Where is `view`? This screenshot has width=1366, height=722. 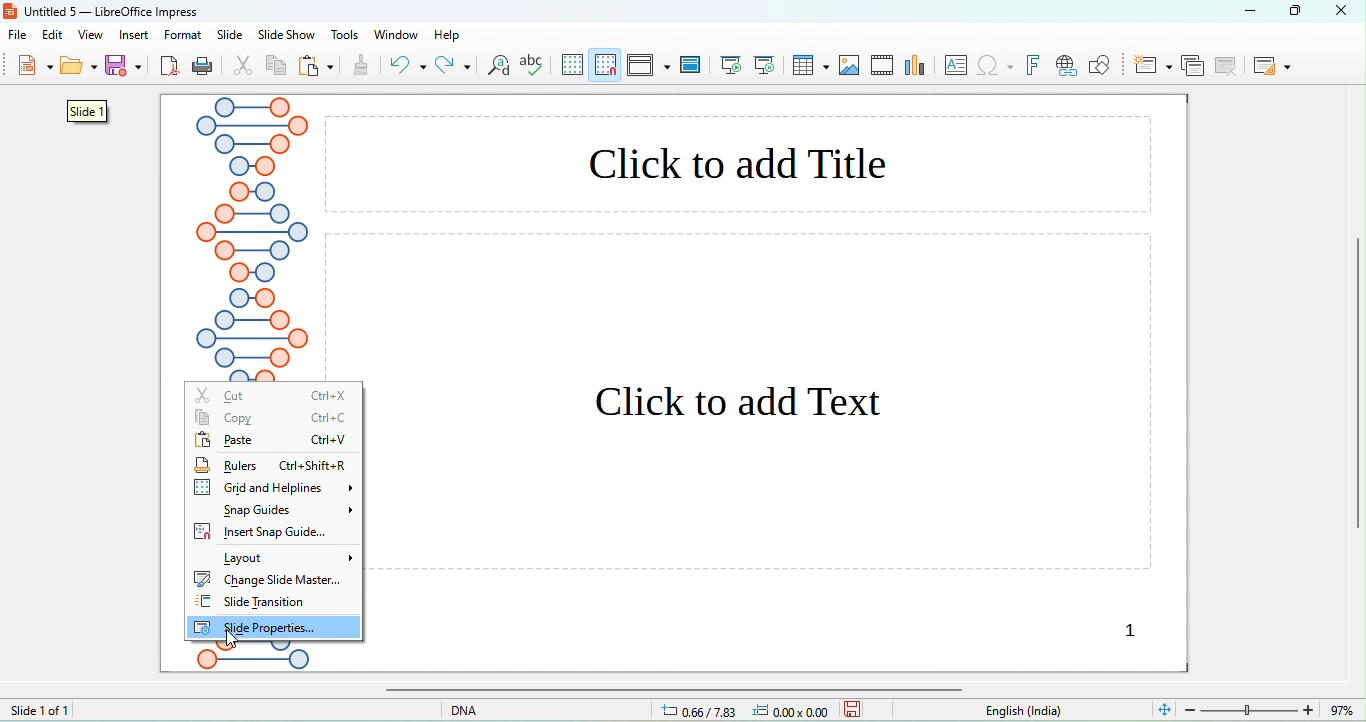
view is located at coordinates (90, 35).